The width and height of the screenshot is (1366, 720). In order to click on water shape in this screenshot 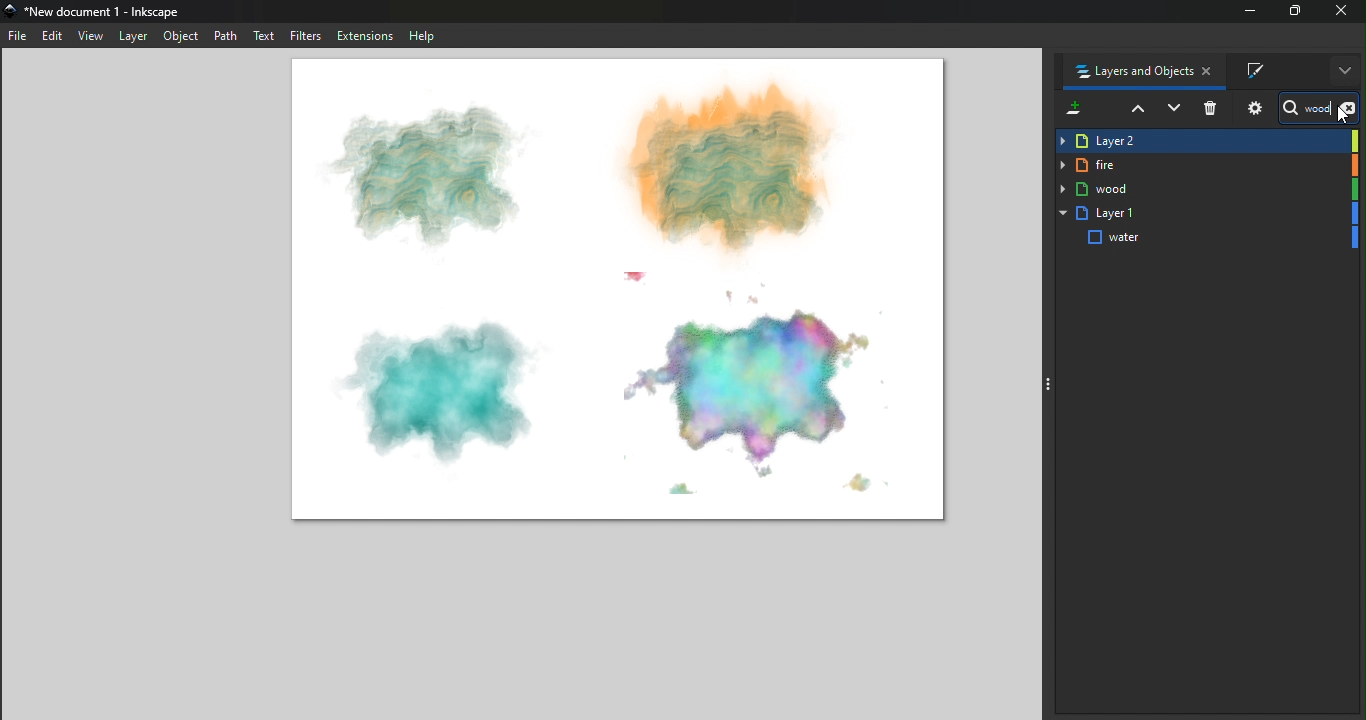, I will do `click(1208, 238)`.